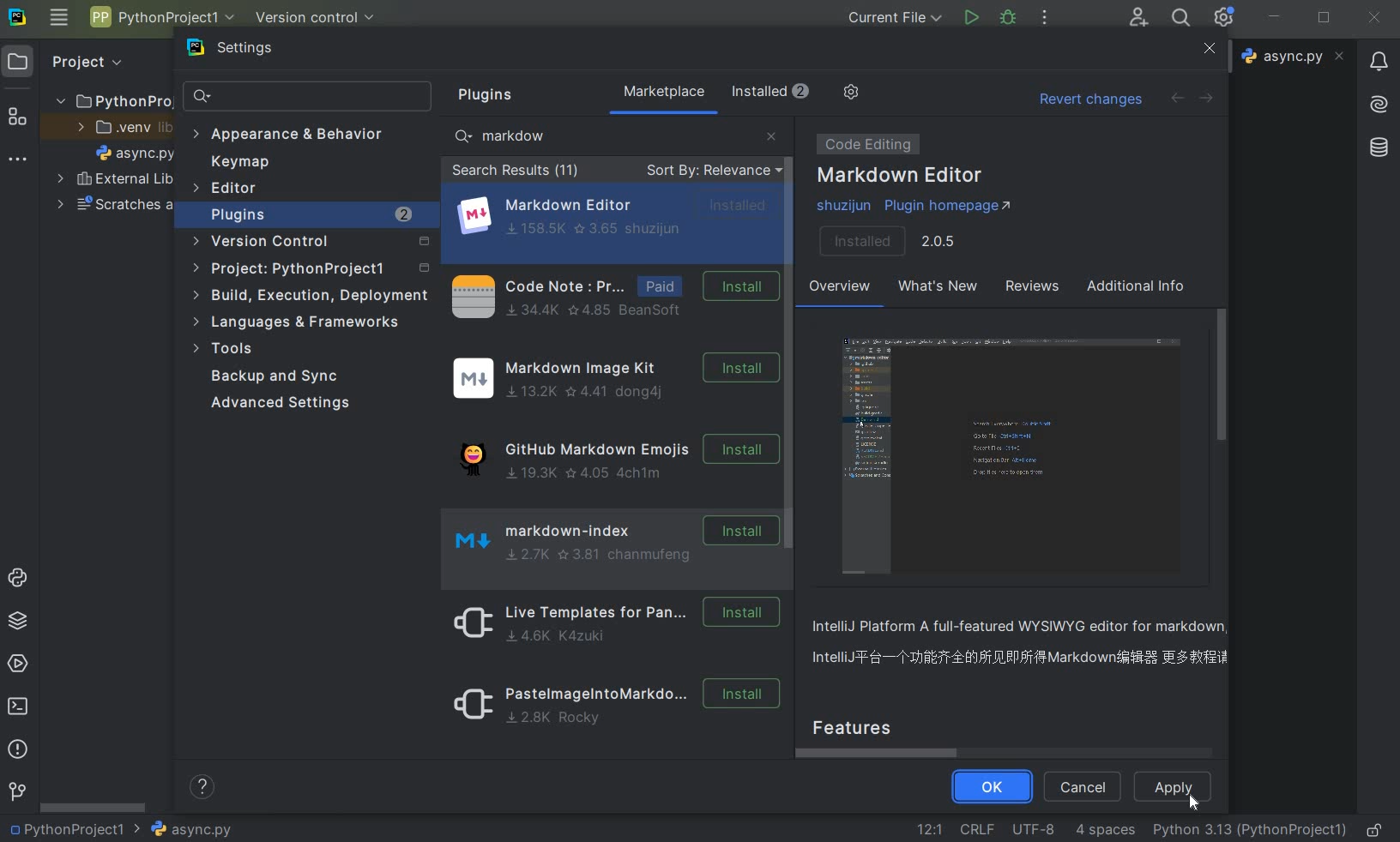 Image resolution: width=1400 pixels, height=842 pixels. Describe the element at coordinates (283, 403) in the screenshot. I see `advanced settings` at that location.